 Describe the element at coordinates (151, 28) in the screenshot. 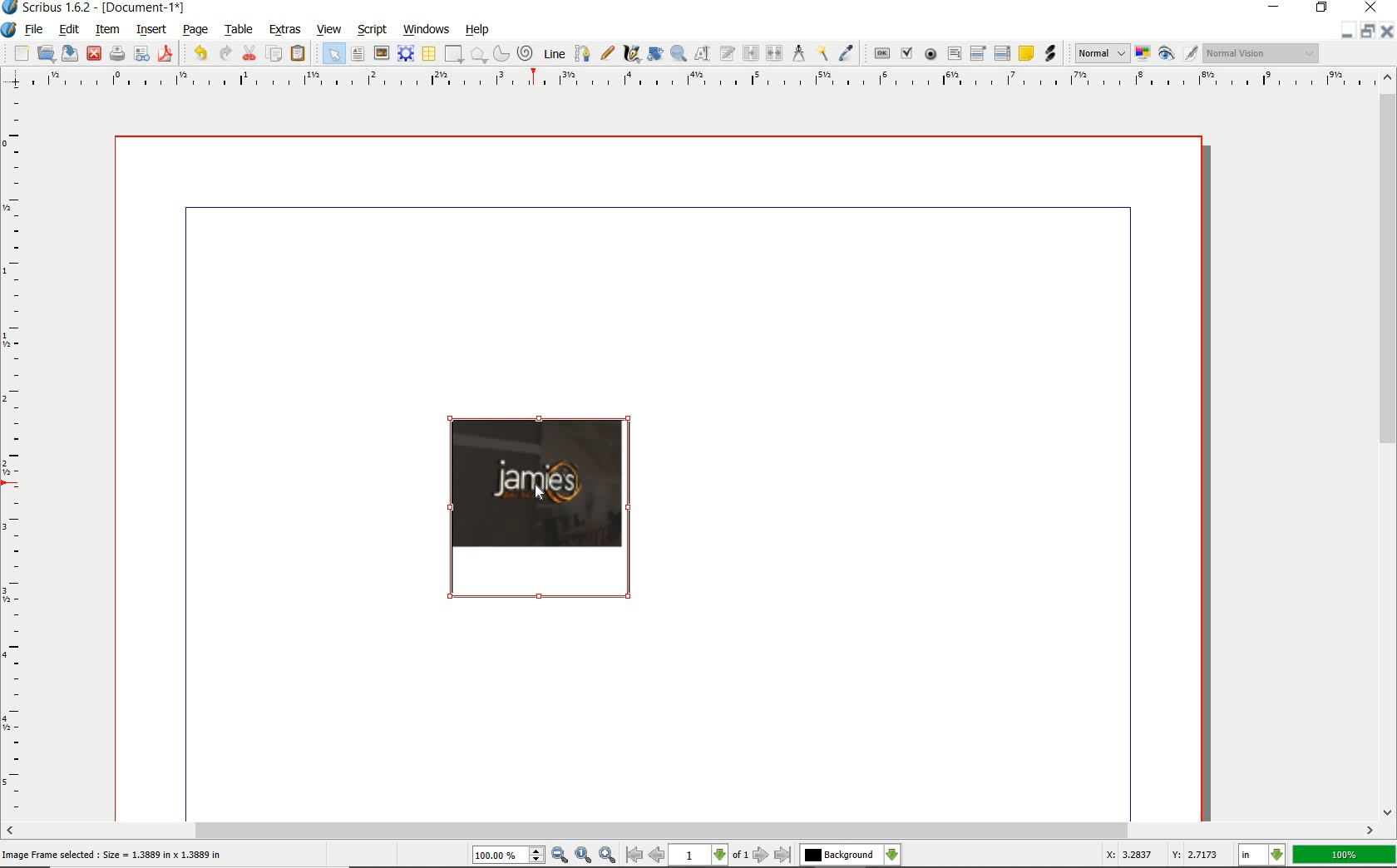

I see `insert` at that location.